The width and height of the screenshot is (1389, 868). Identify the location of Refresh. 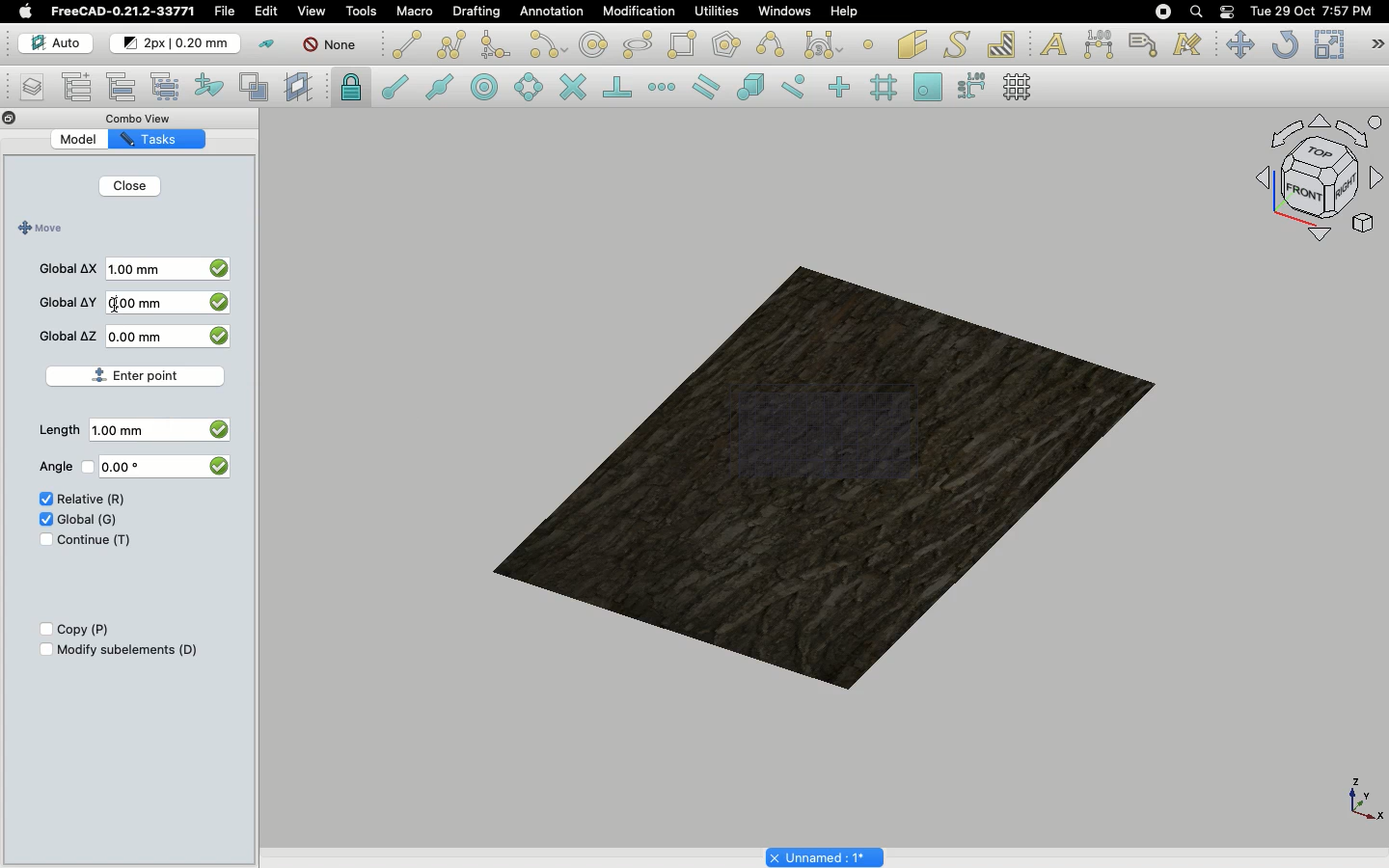
(1285, 46).